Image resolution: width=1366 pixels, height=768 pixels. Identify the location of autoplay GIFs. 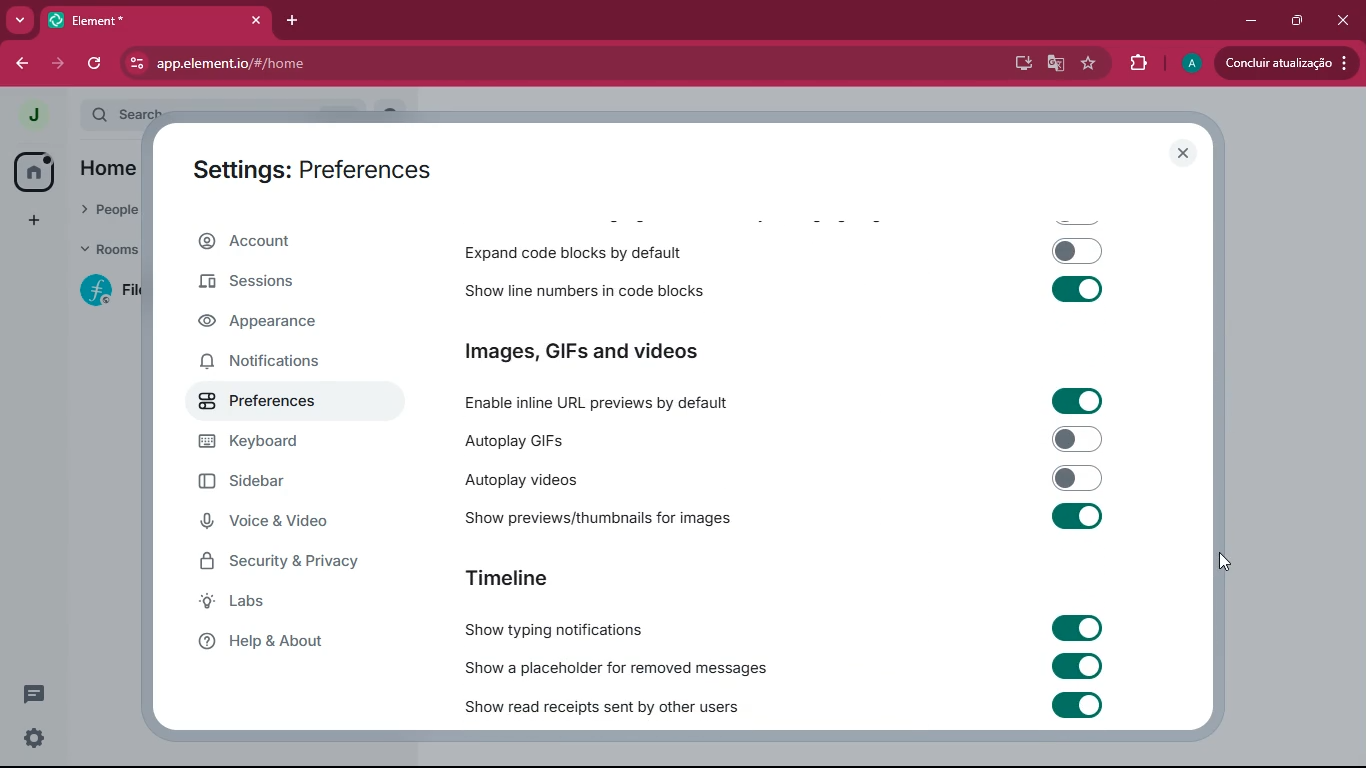
(622, 442).